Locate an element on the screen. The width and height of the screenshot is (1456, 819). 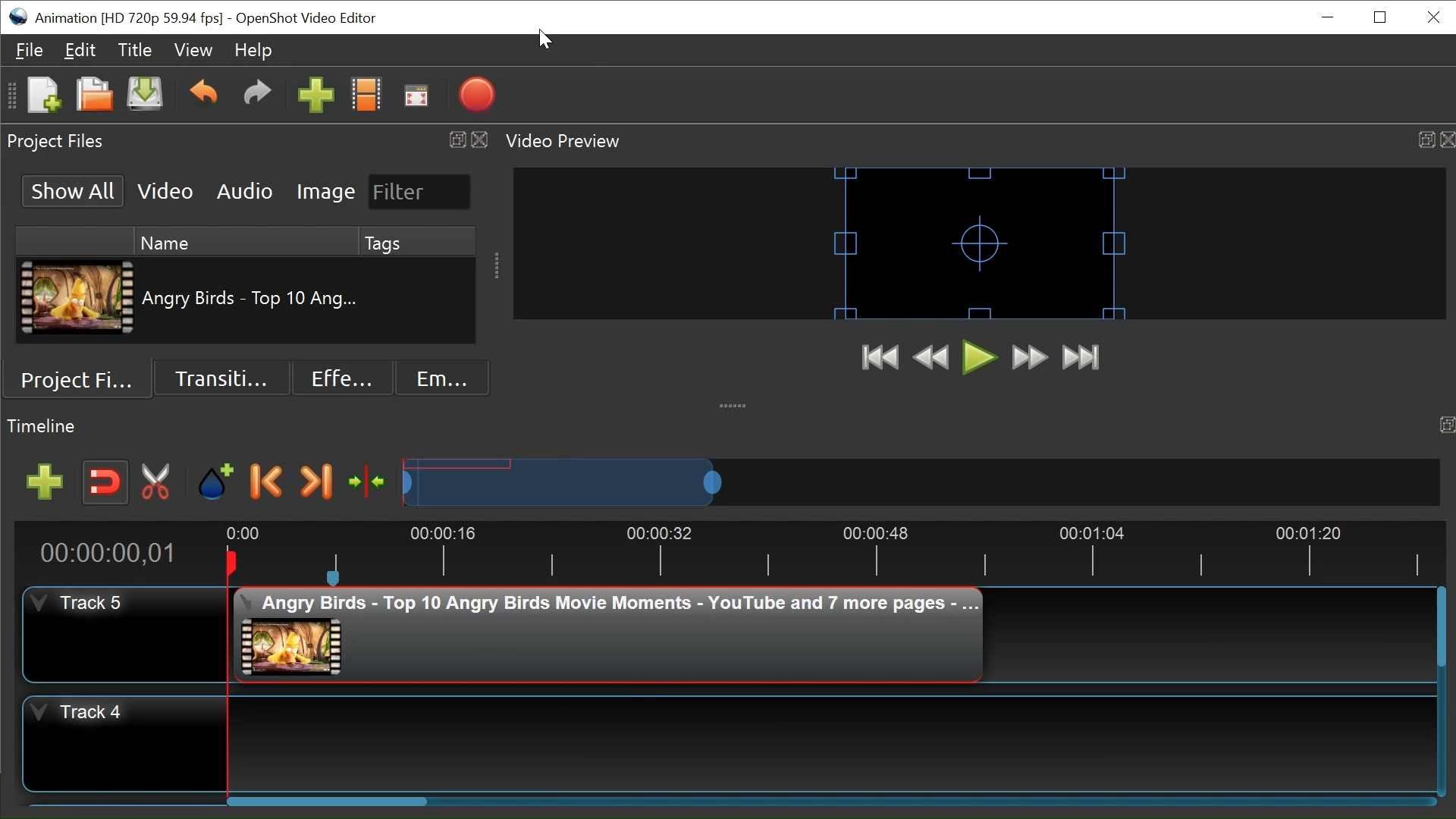
Video is located at coordinates (166, 192).